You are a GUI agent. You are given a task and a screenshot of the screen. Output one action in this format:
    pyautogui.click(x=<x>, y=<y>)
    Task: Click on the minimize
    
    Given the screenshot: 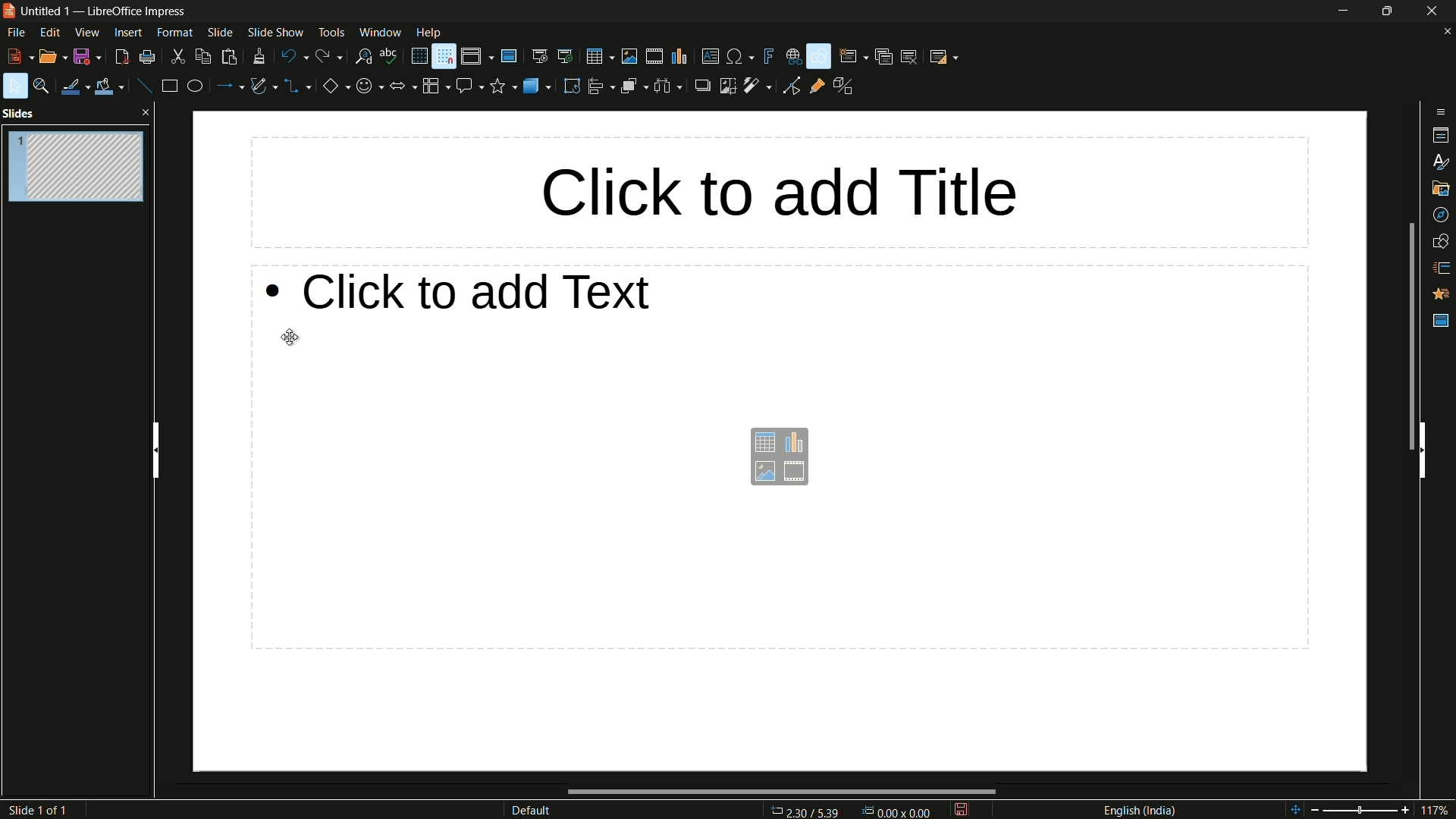 What is the action you would take?
    pyautogui.click(x=1339, y=11)
    